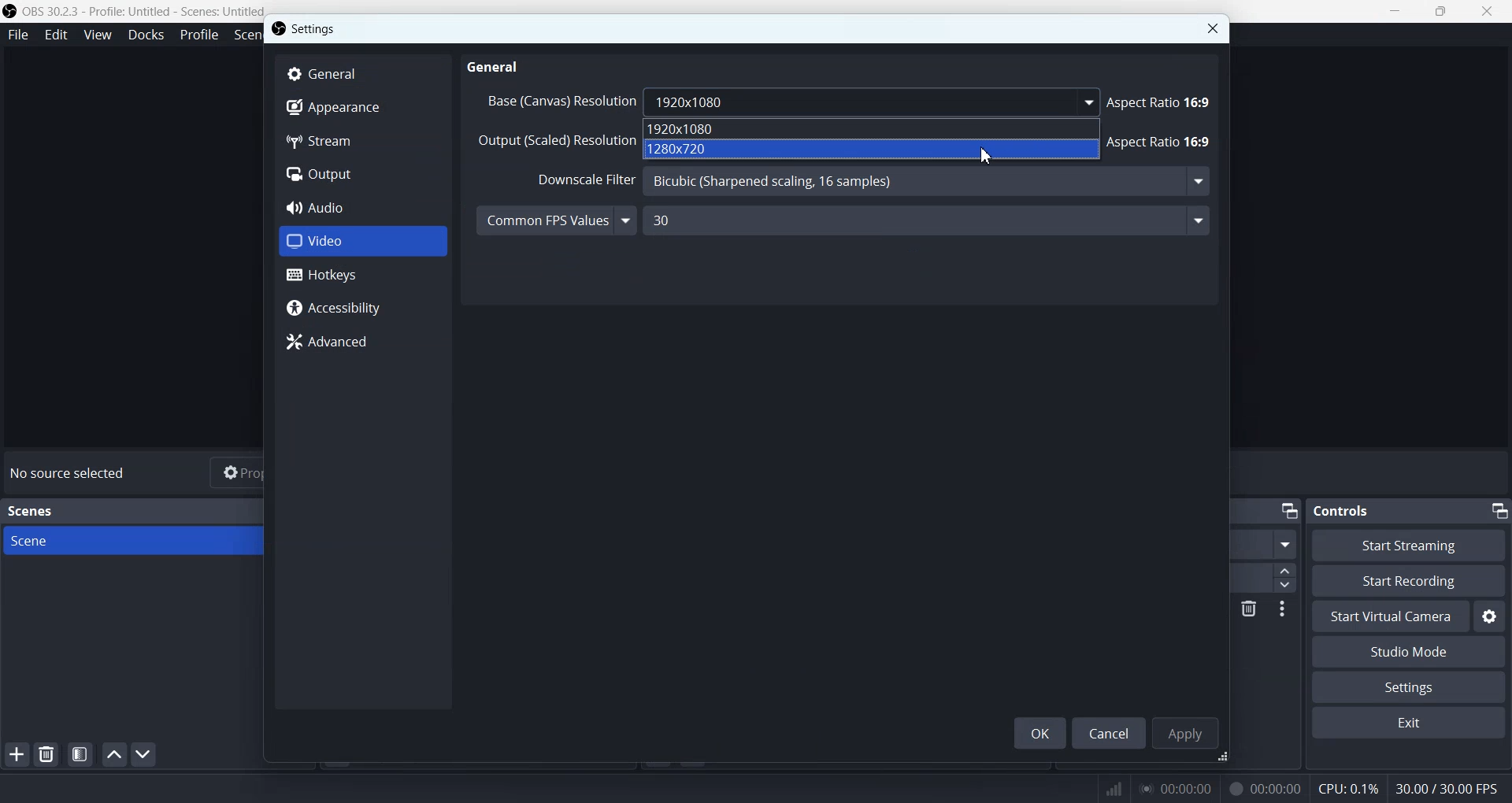 The image size is (1512, 803). Describe the element at coordinates (1188, 731) in the screenshot. I see `Apply` at that location.